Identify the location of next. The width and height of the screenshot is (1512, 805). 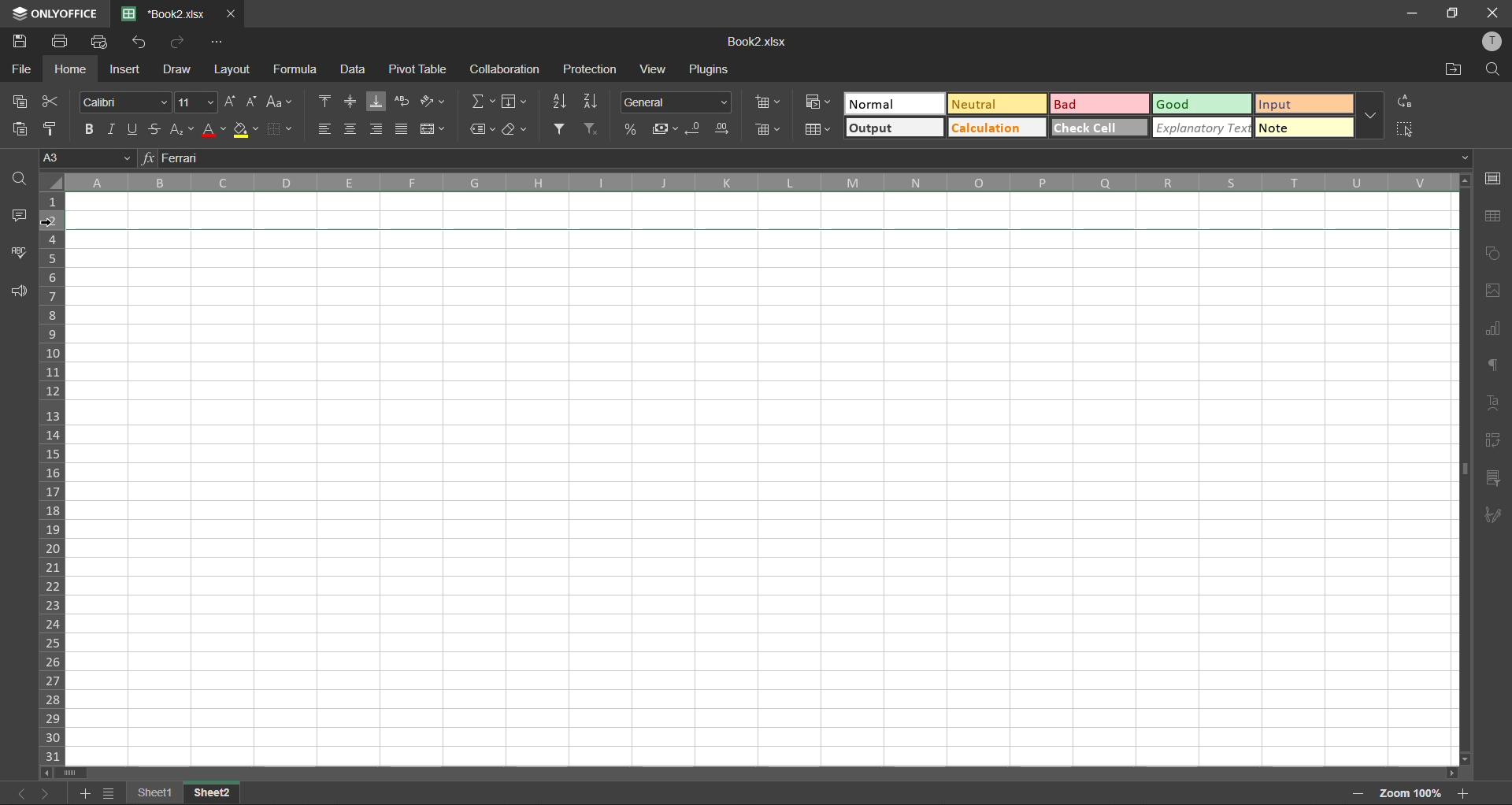
(46, 795).